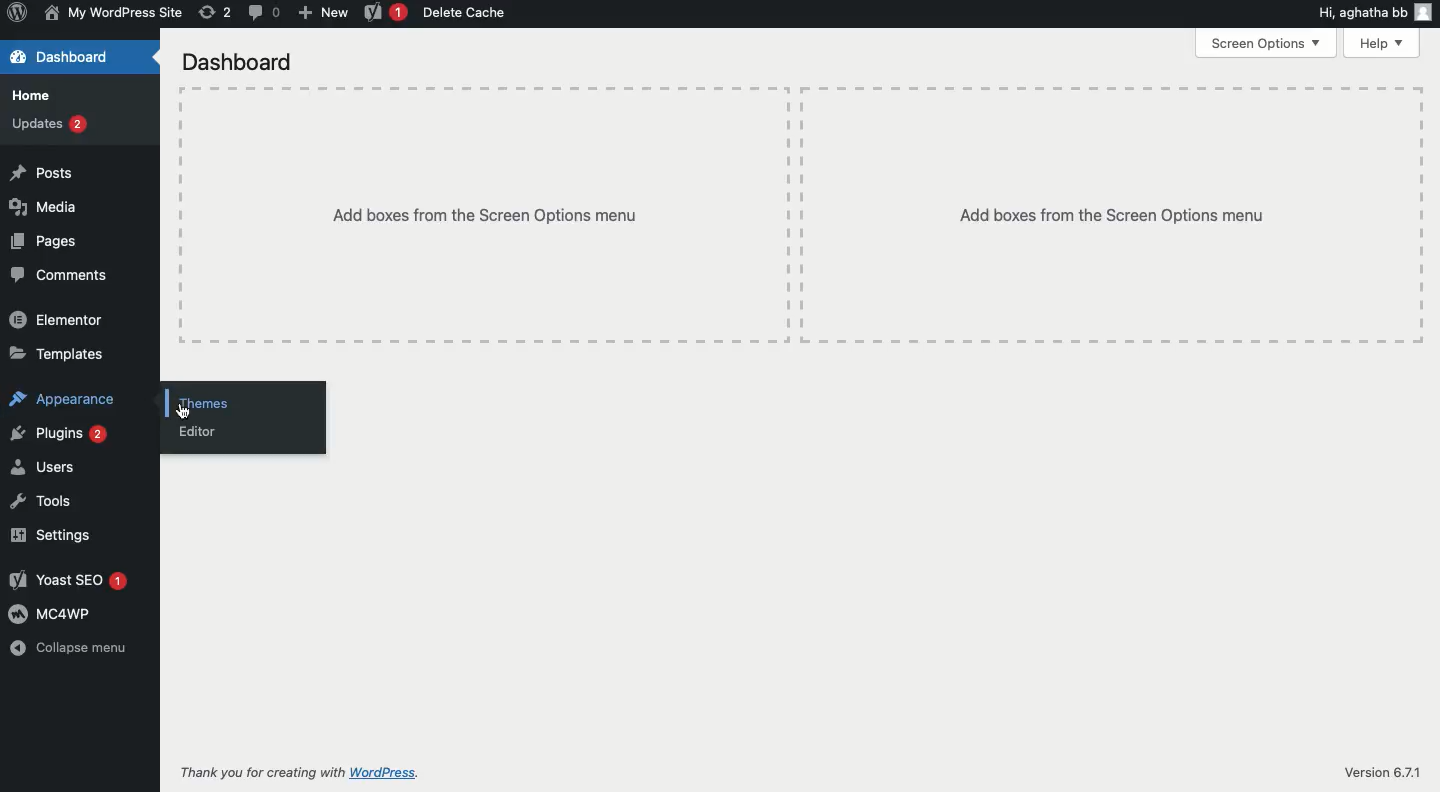 The height and width of the screenshot is (792, 1440). I want to click on Version 6.71, so click(1382, 774).